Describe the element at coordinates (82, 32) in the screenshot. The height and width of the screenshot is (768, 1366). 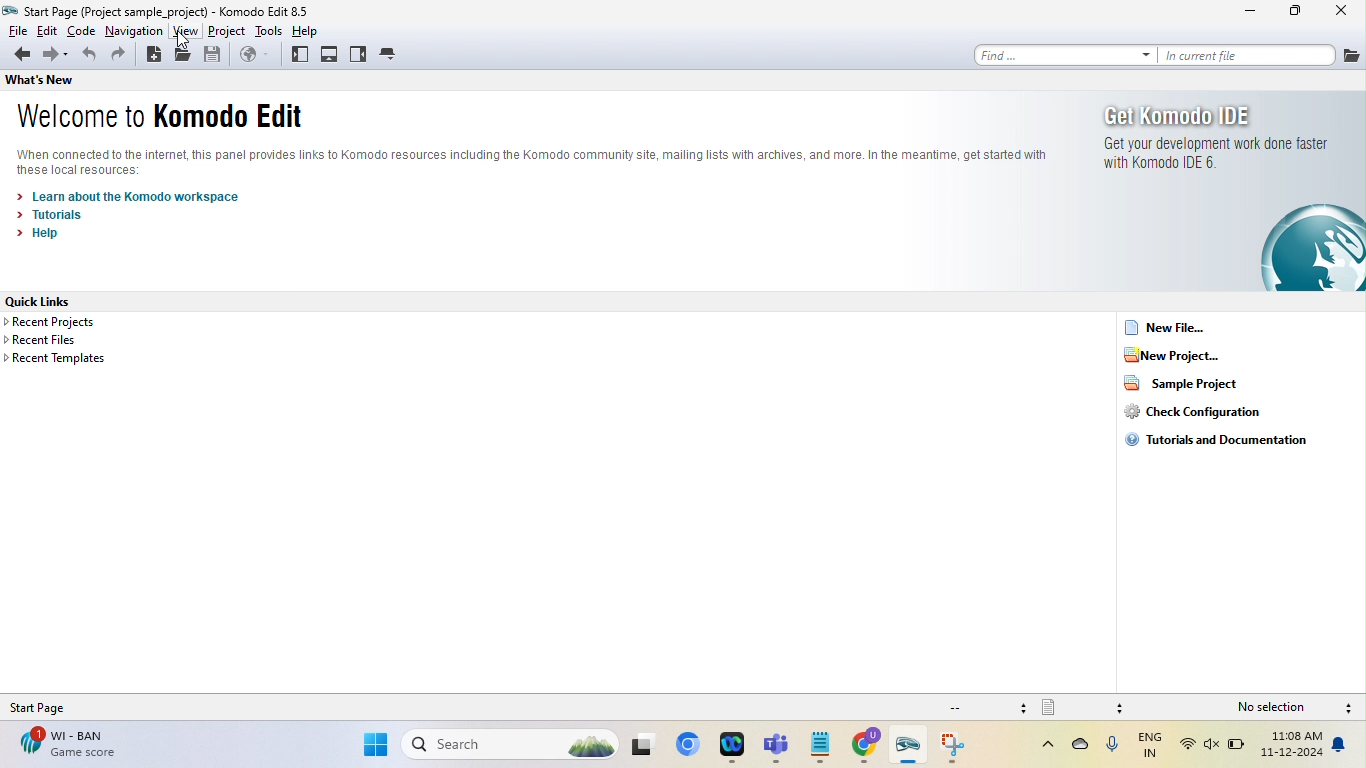
I see `code` at that location.